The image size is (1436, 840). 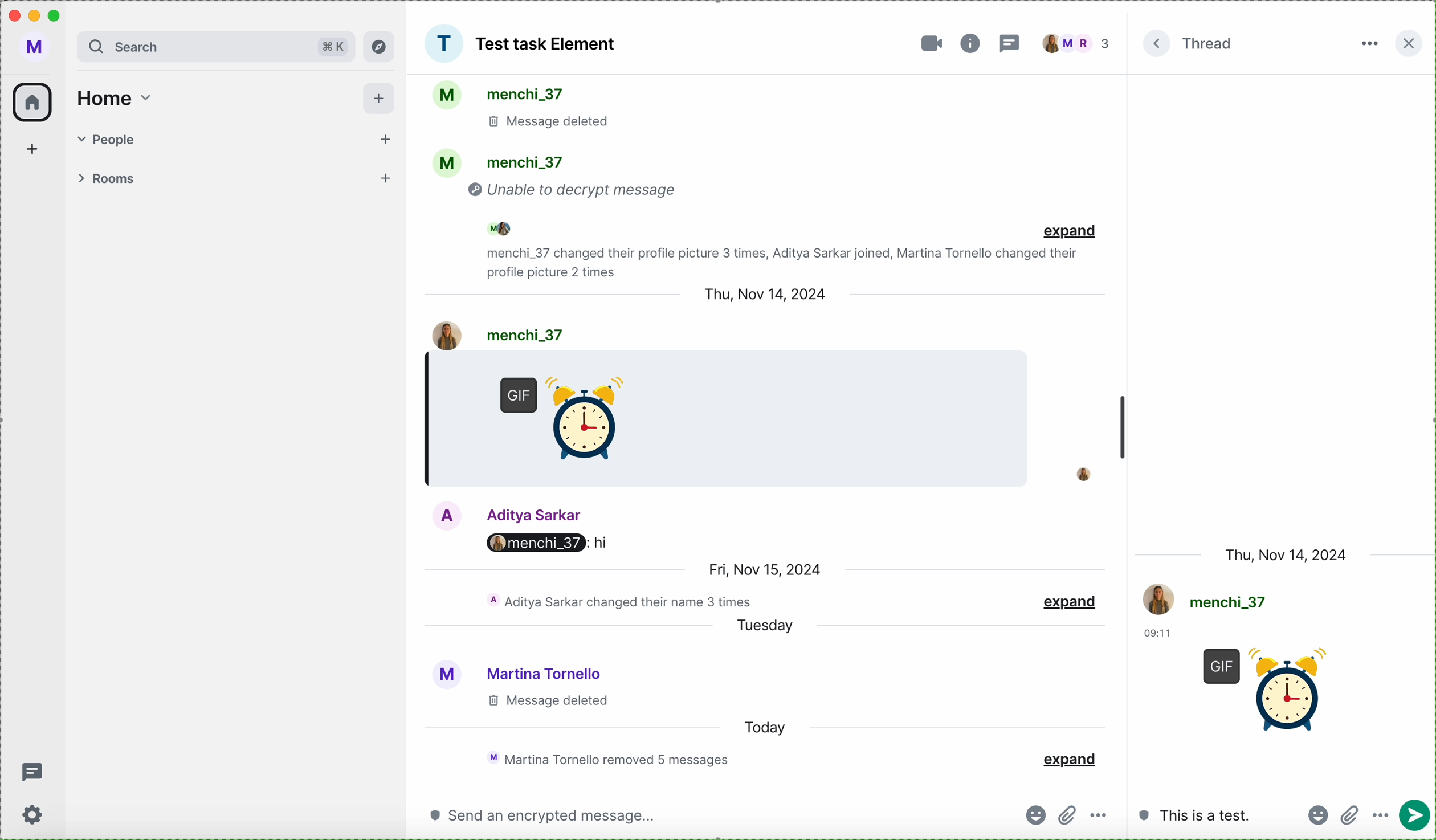 What do you see at coordinates (1197, 815) in the screenshot?
I see `this is a test.` at bounding box center [1197, 815].